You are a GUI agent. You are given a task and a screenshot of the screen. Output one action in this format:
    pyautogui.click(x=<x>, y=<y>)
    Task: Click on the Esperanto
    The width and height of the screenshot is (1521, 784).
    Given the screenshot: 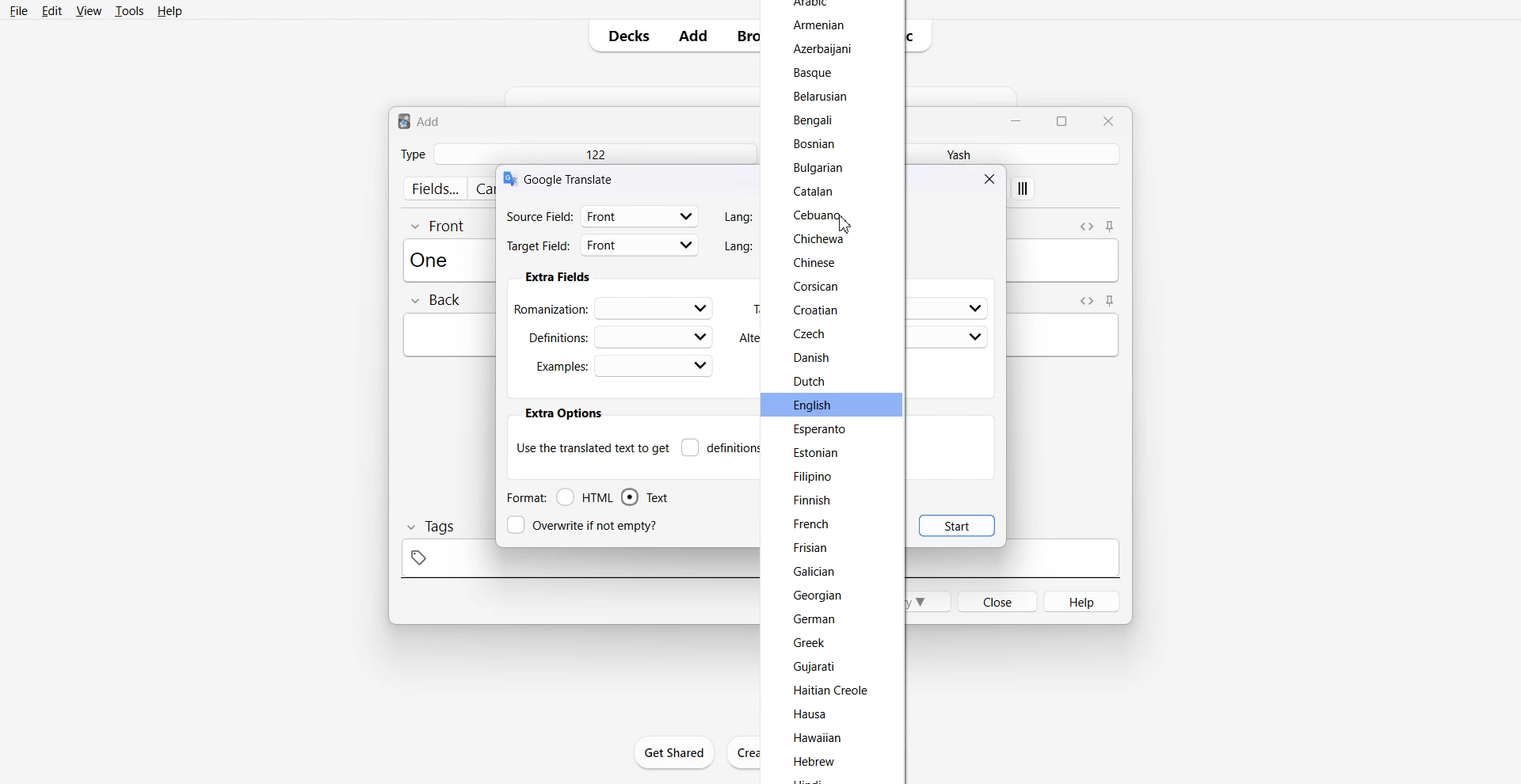 What is the action you would take?
    pyautogui.click(x=821, y=431)
    